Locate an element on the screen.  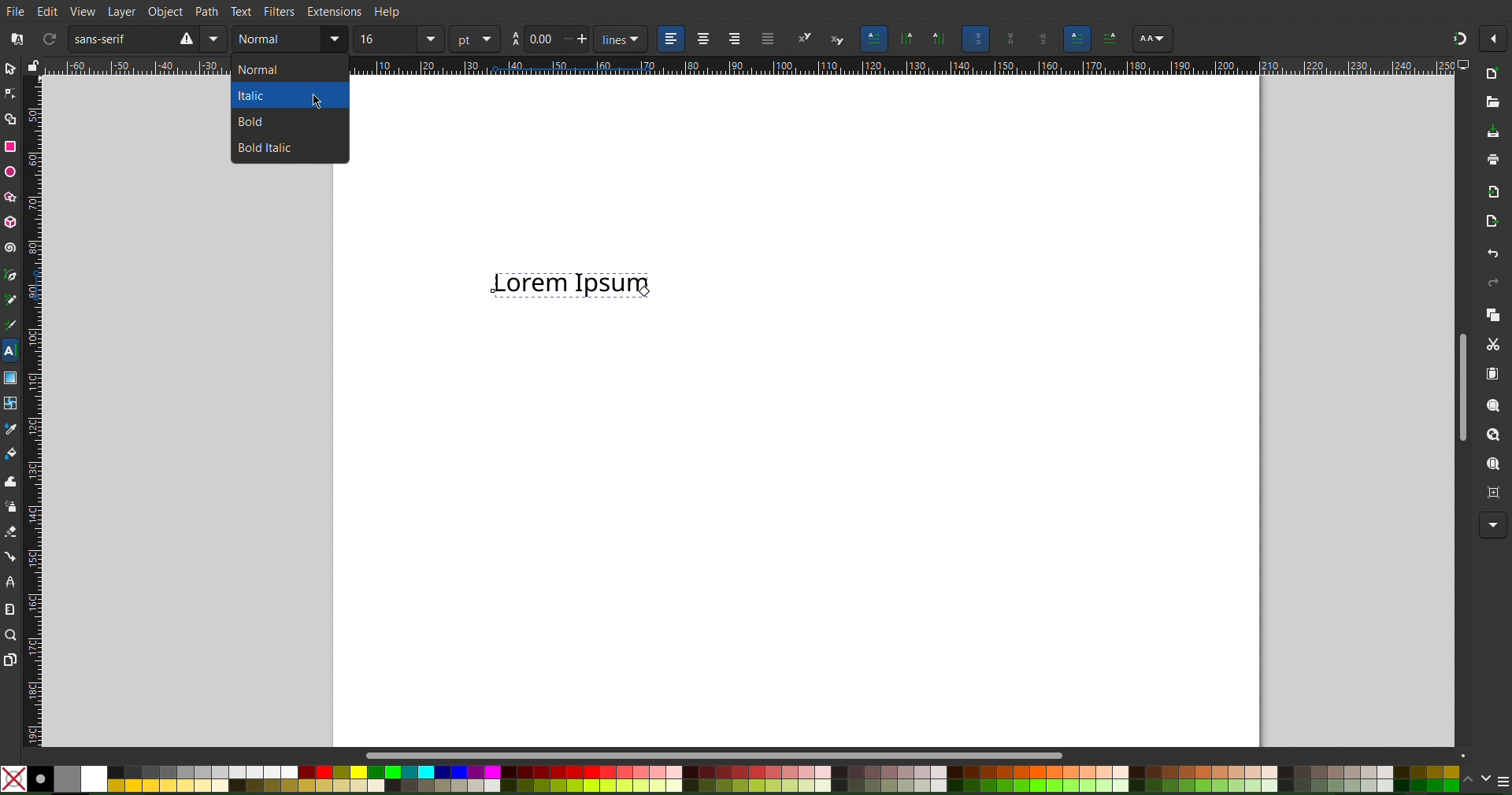
Mirror Vertically is located at coordinates (217, 39).